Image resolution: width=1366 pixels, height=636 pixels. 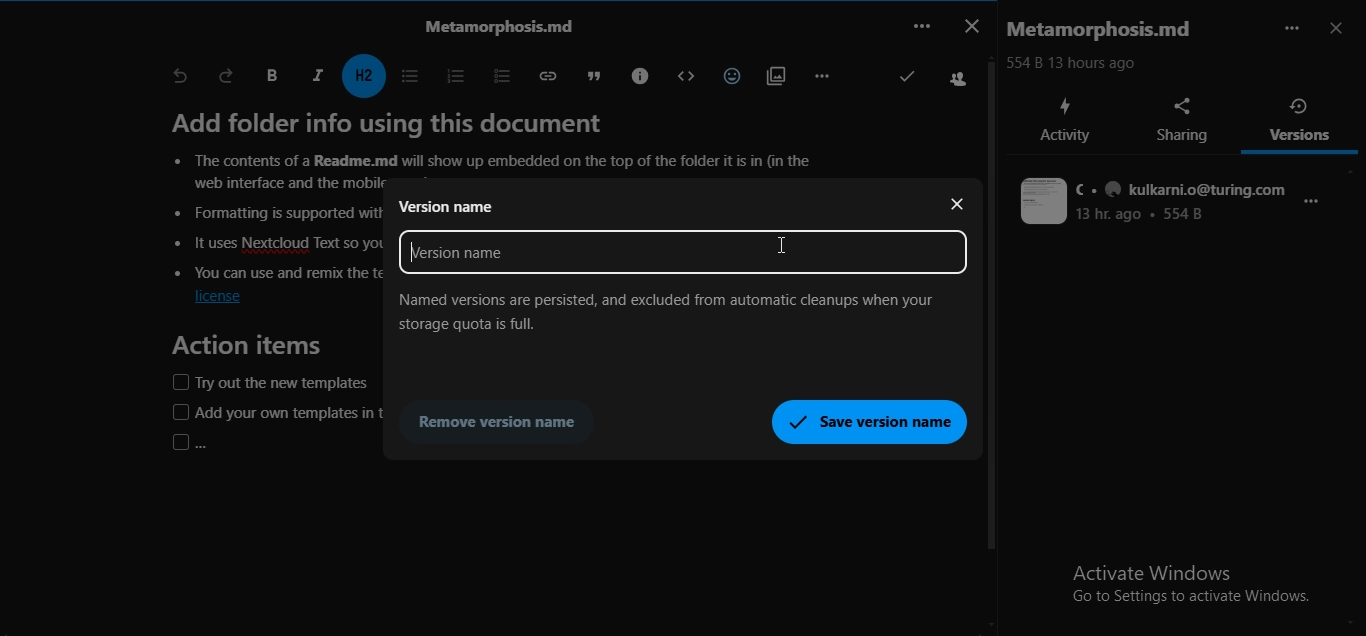 I want to click on remaining actions, so click(x=821, y=75).